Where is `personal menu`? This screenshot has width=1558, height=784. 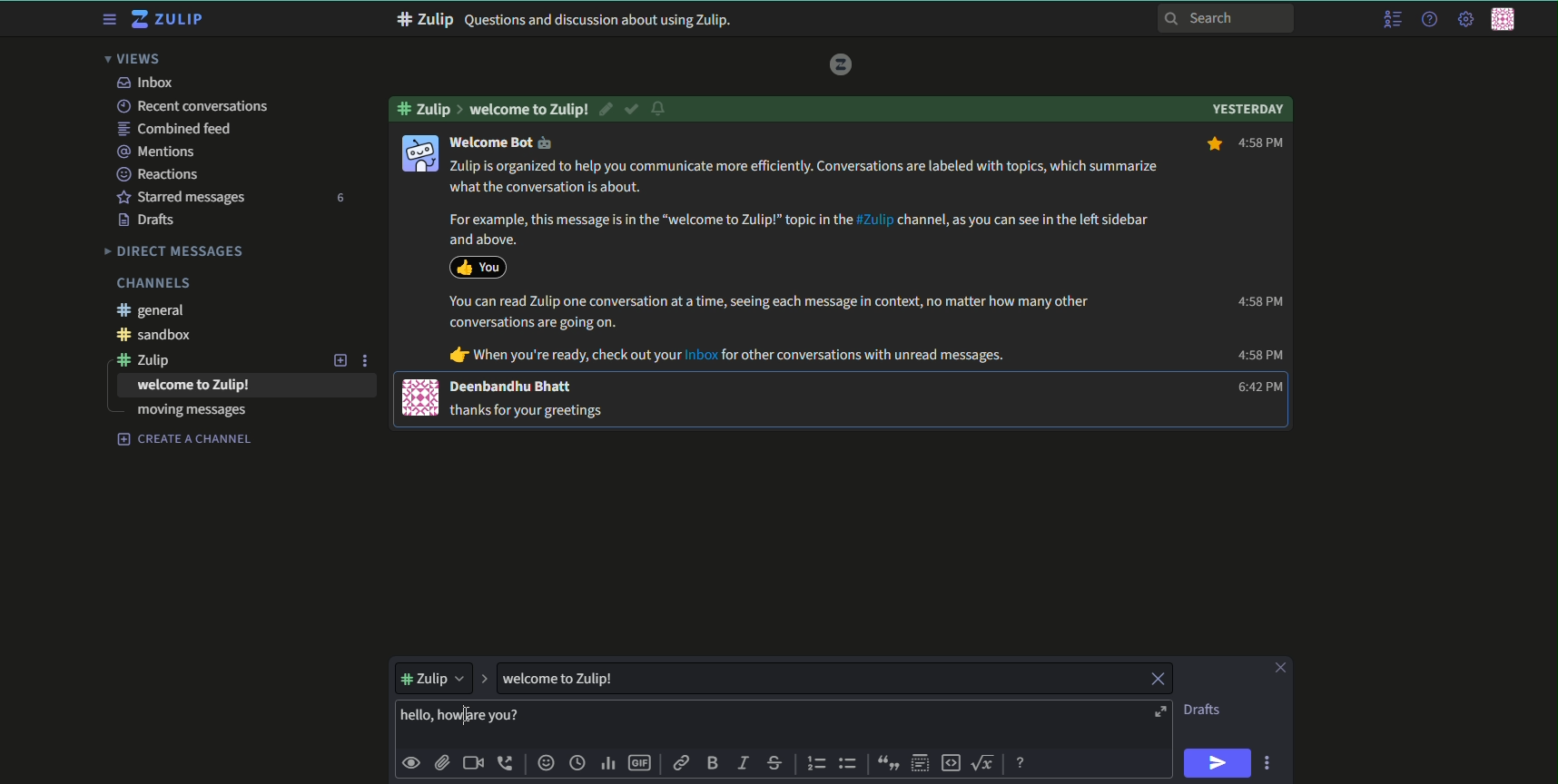
personal menu is located at coordinates (1506, 21).